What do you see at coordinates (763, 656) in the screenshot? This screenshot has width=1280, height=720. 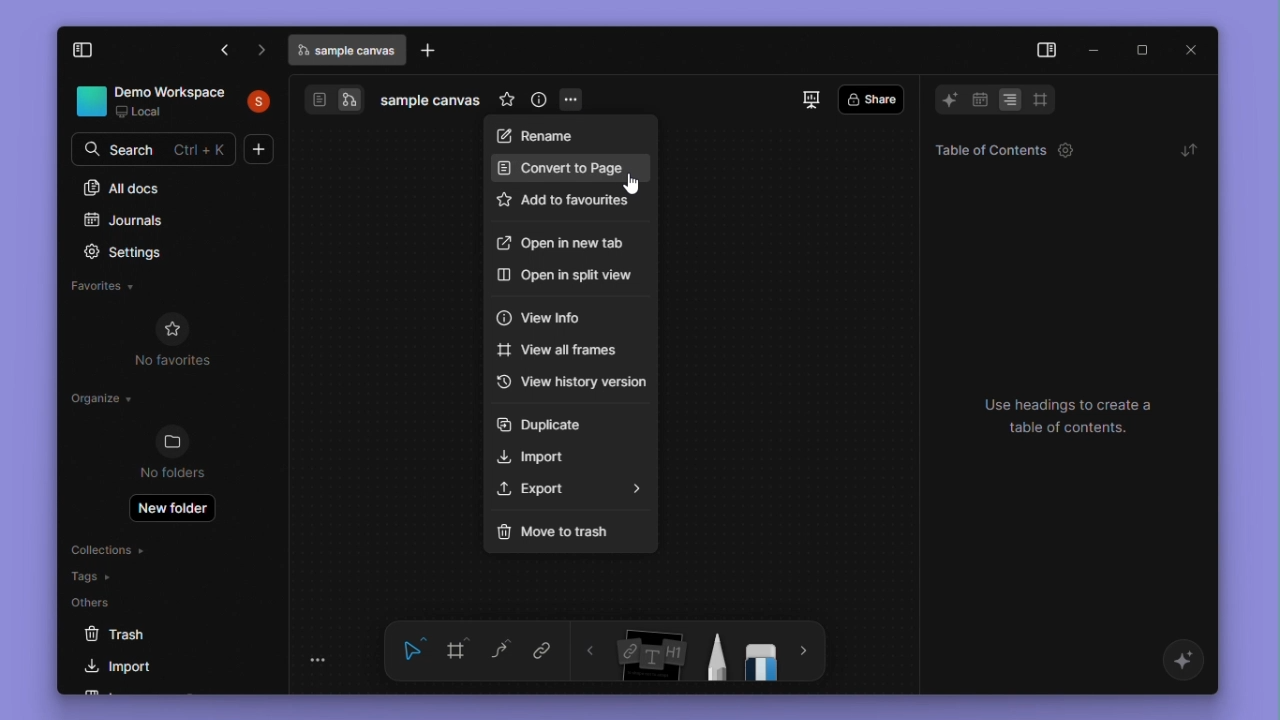 I see `eraser` at bounding box center [763, 656].